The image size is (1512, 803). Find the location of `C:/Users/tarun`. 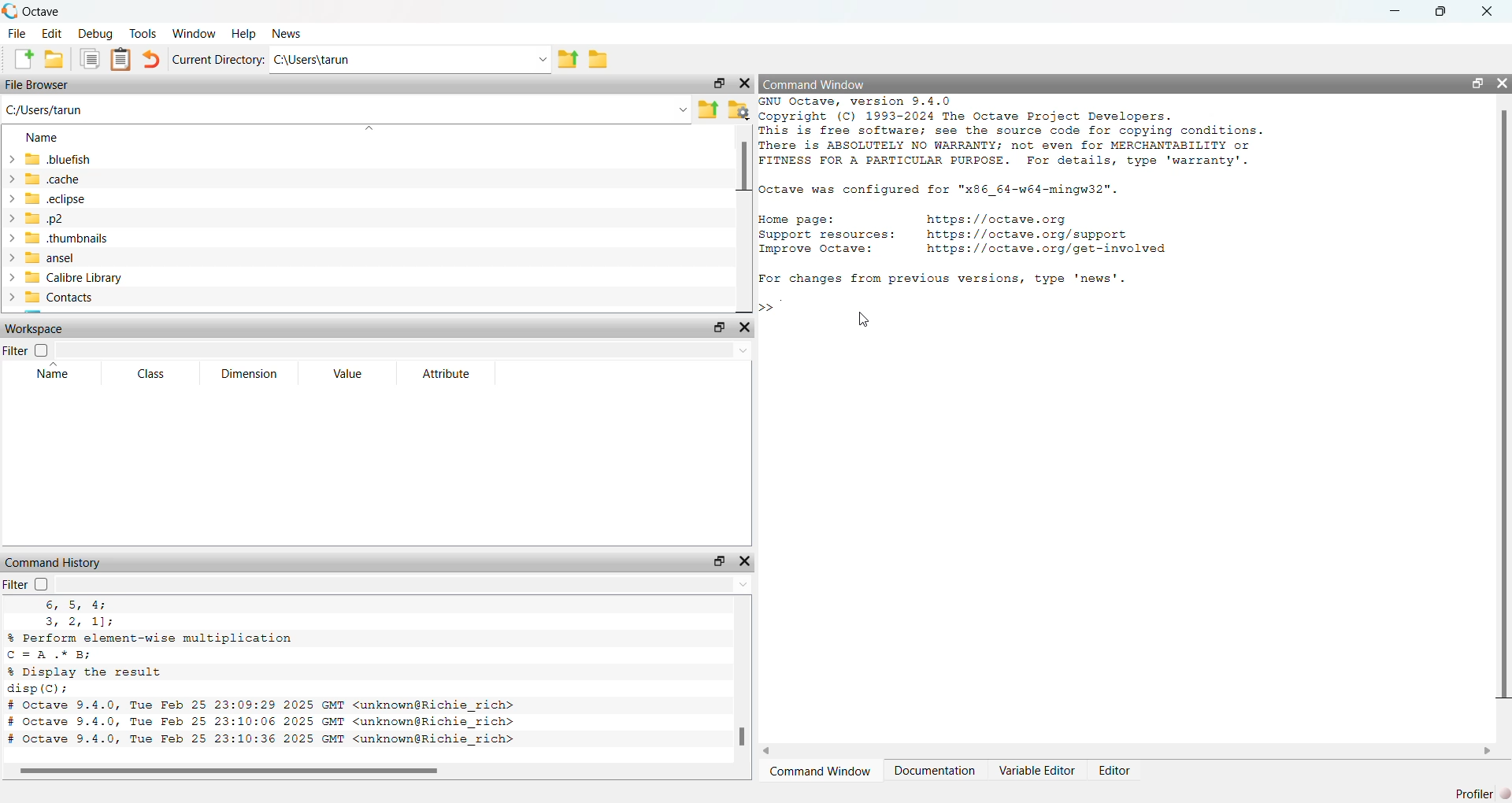

C:/Users/tarun is located at coordinates (347, 111).